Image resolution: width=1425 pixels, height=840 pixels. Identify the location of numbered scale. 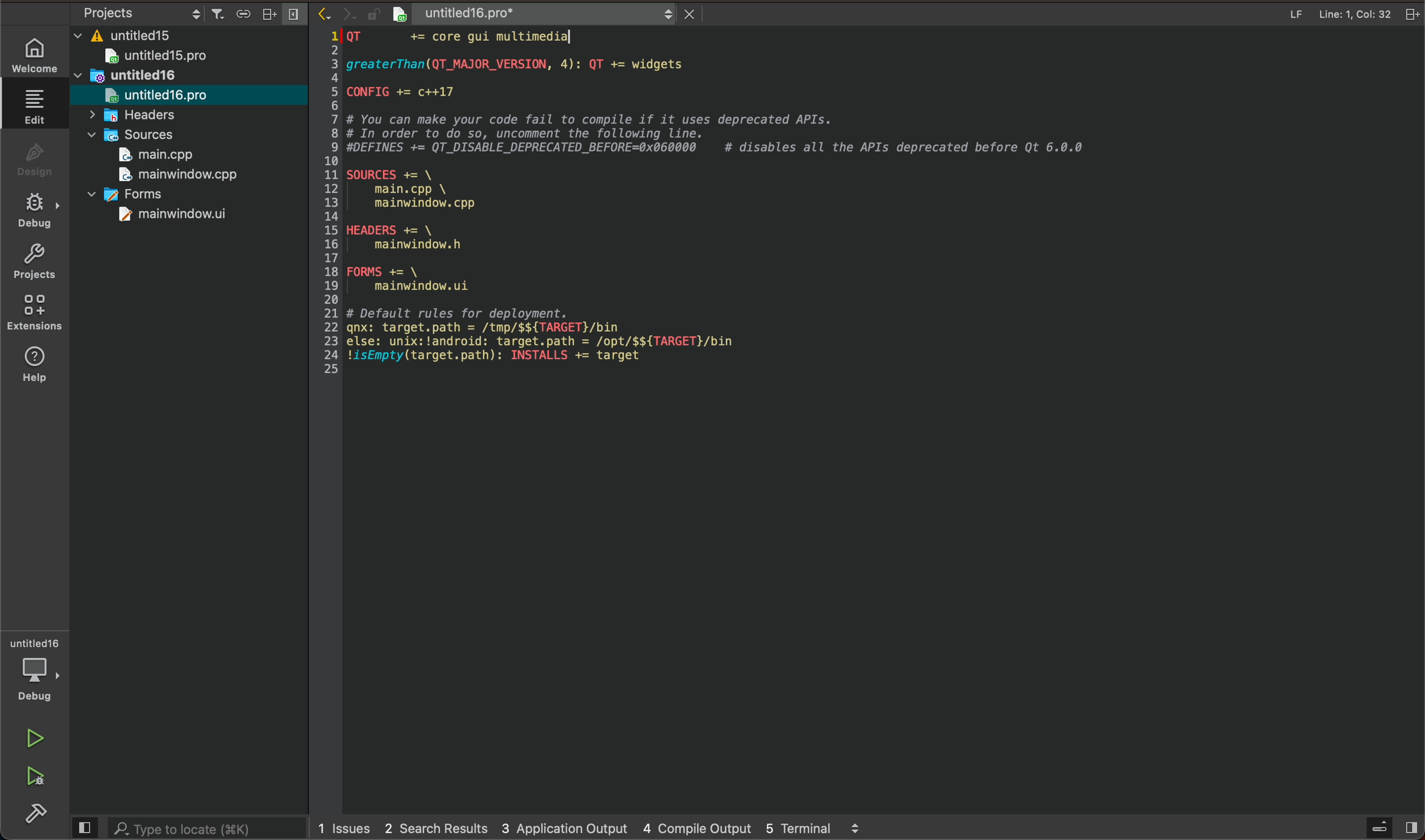
(329, 203).